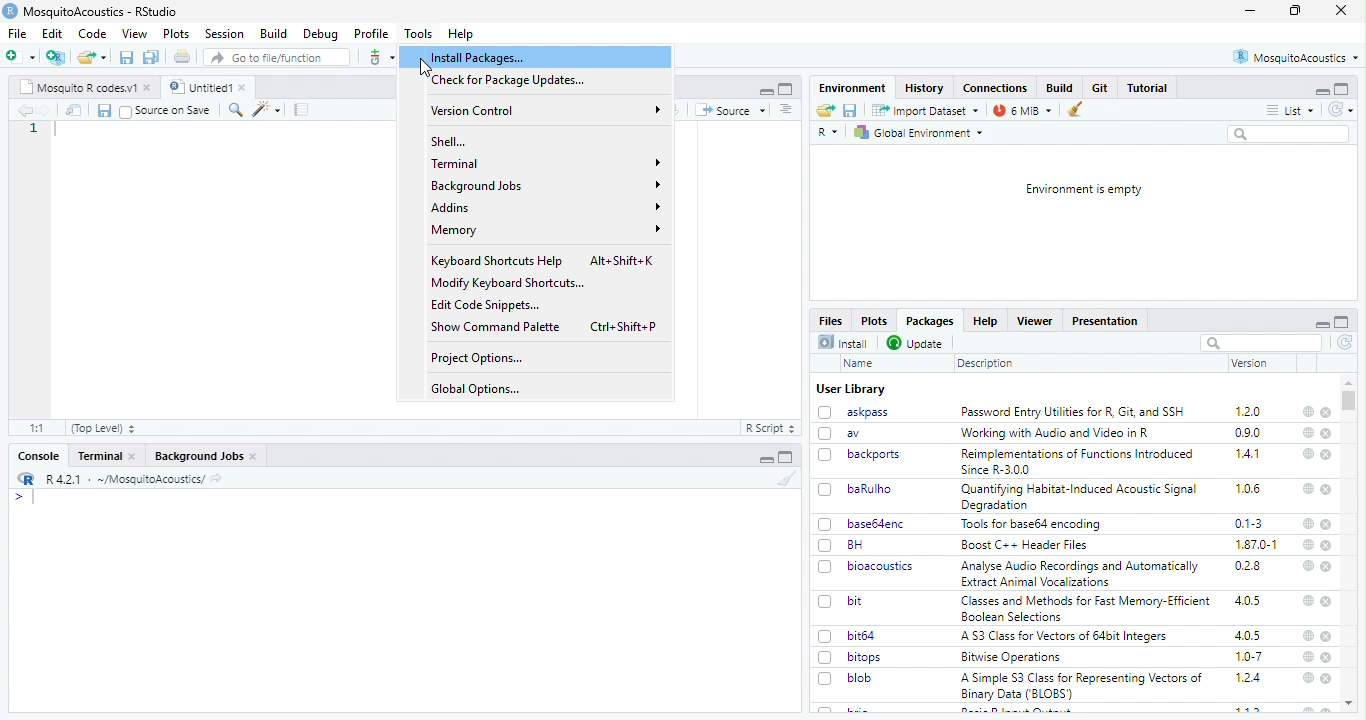  Describe the element at coordinates (1310, 544) in the screenshot. I see `web` at that location.